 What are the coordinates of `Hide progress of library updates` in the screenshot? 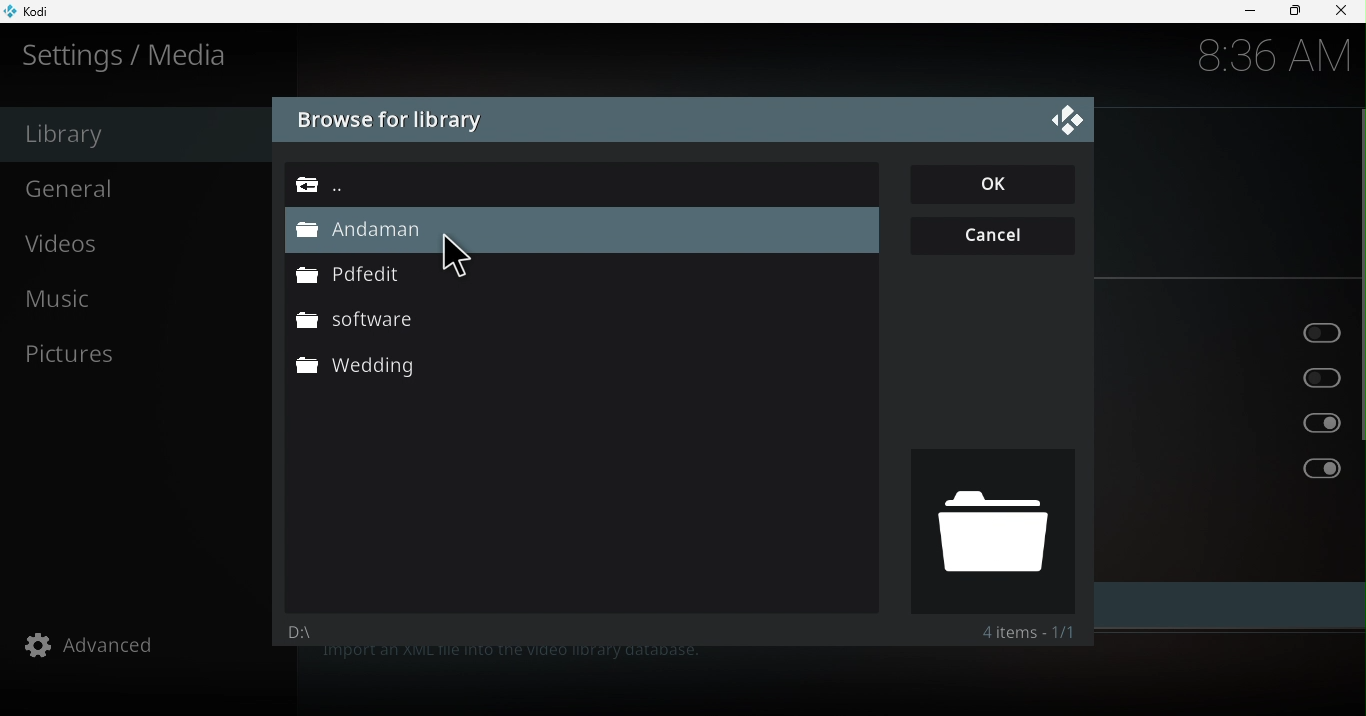 It's located at (1233, 376).